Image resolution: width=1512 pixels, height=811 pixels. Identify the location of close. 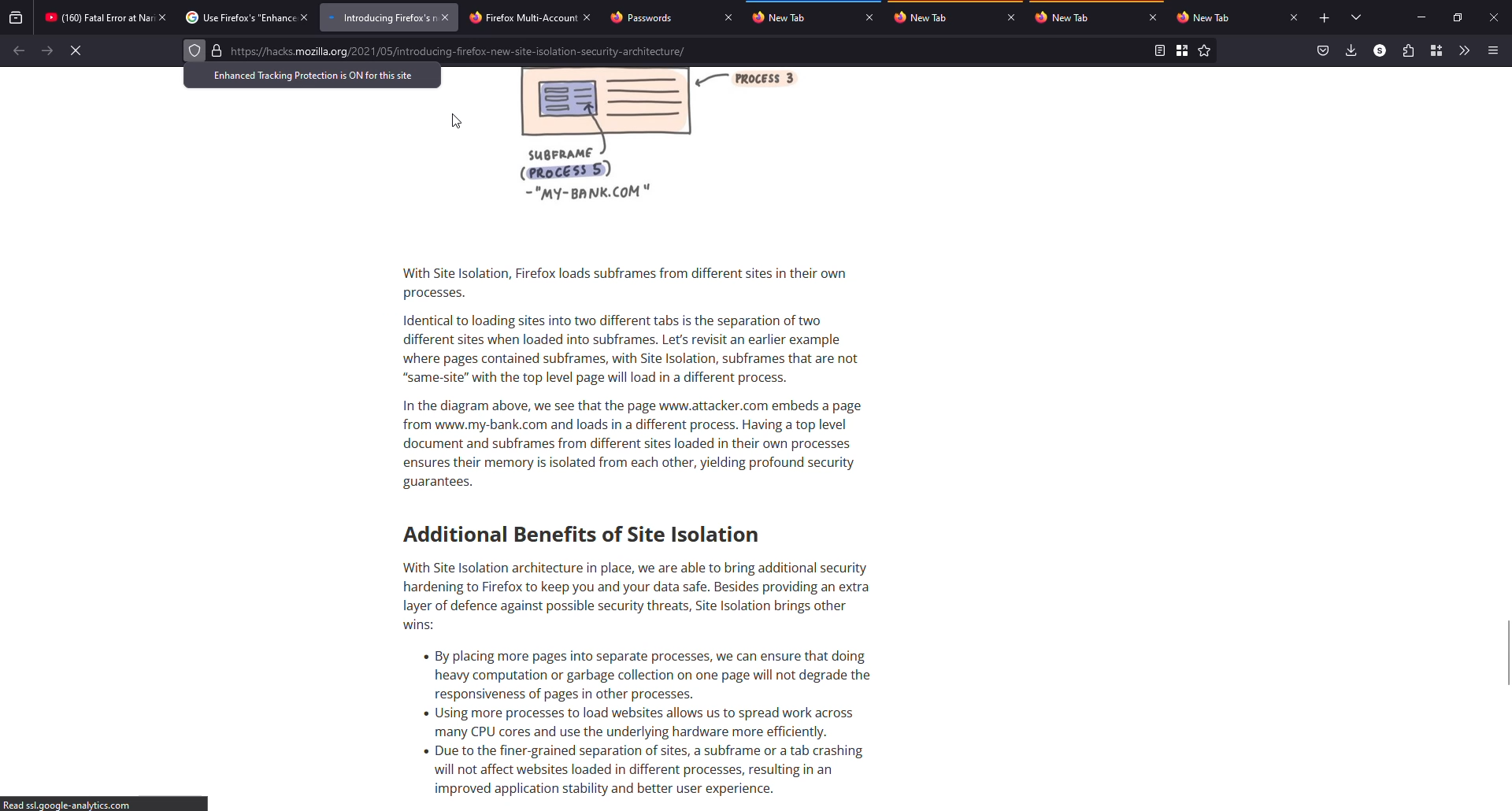
(306, 17).